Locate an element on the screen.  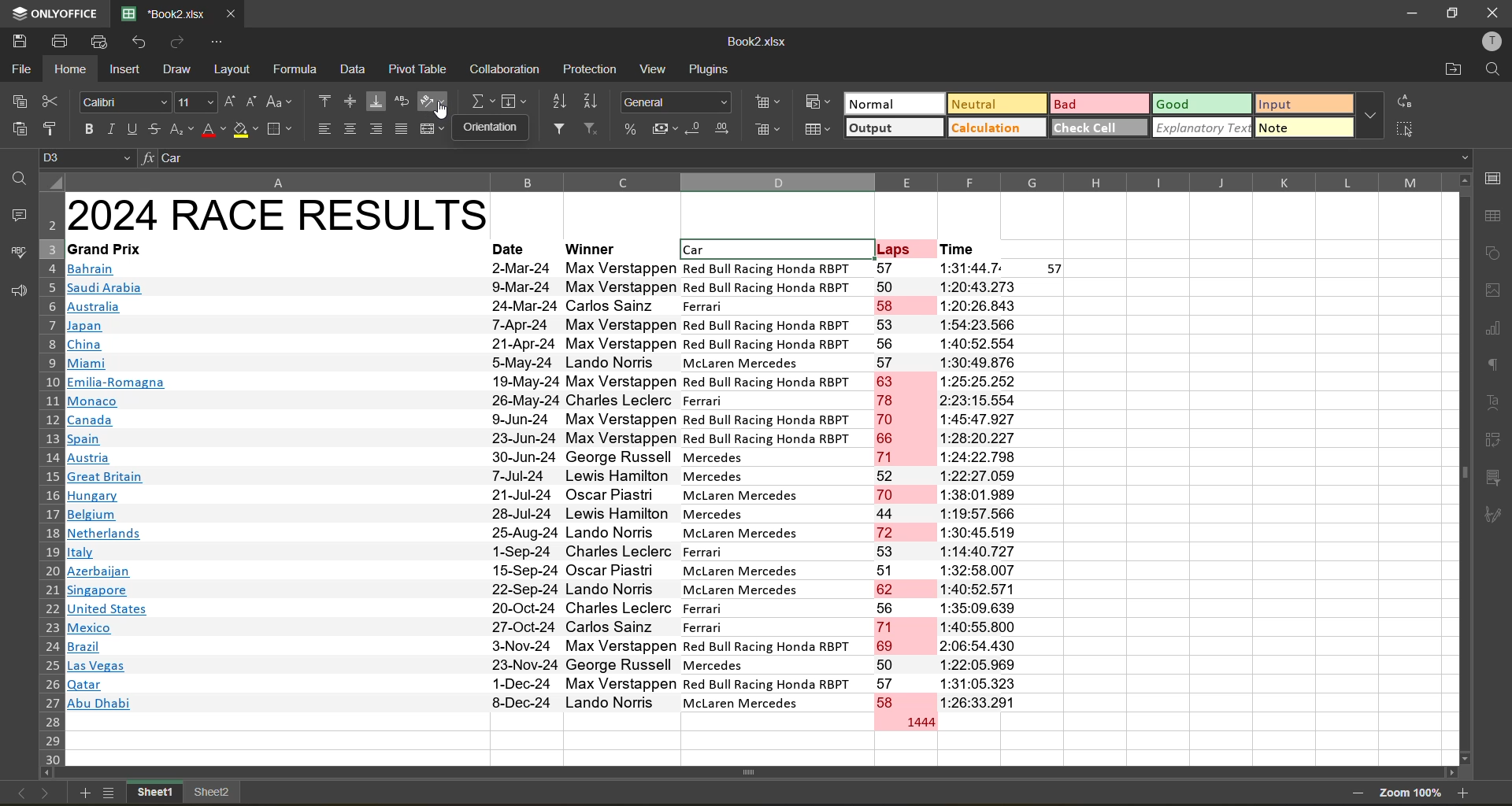
Heading is located at coordinates (282, 215).